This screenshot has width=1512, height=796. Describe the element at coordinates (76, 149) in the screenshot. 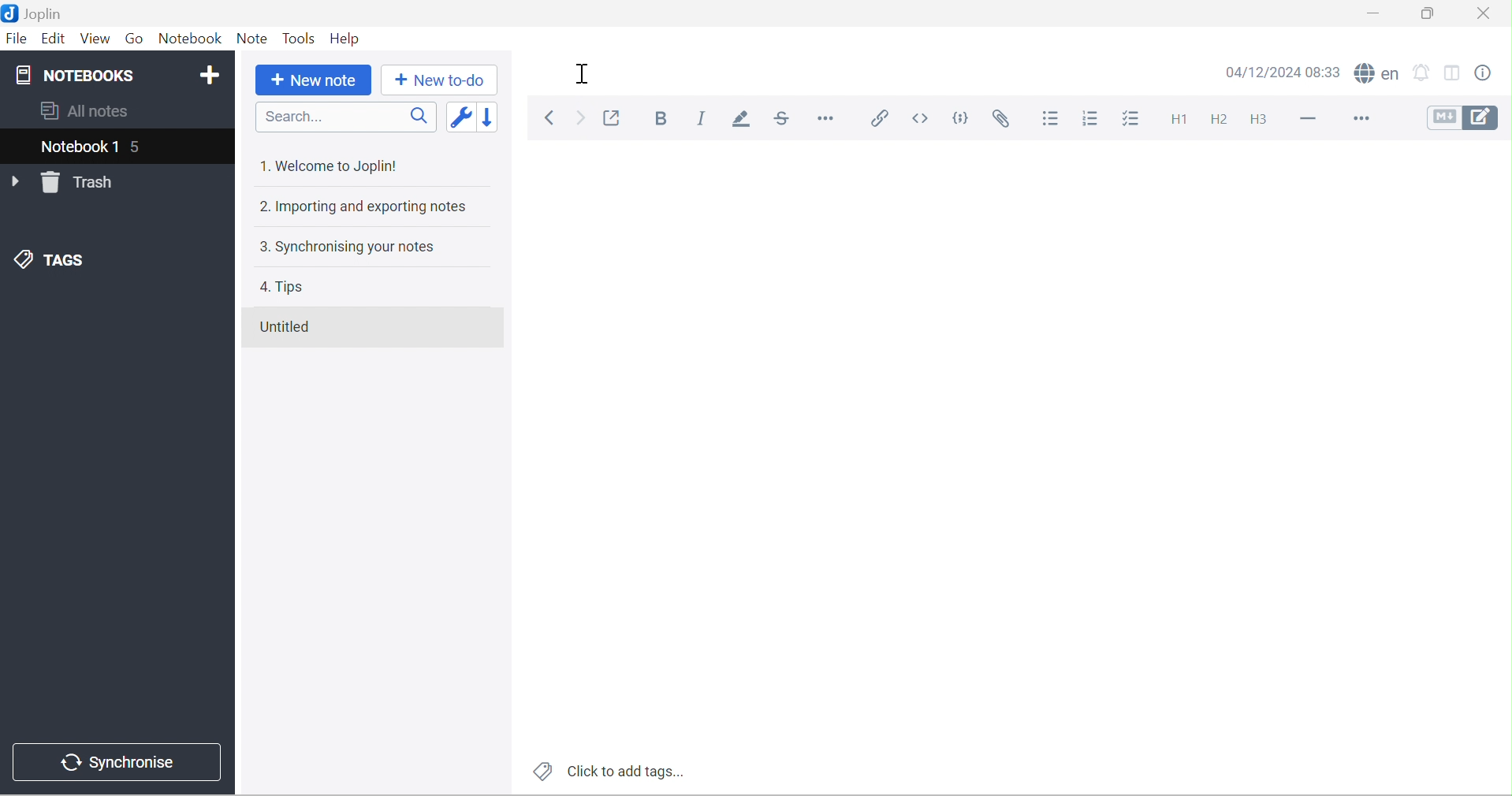

I see `Notebook 1` at that location.